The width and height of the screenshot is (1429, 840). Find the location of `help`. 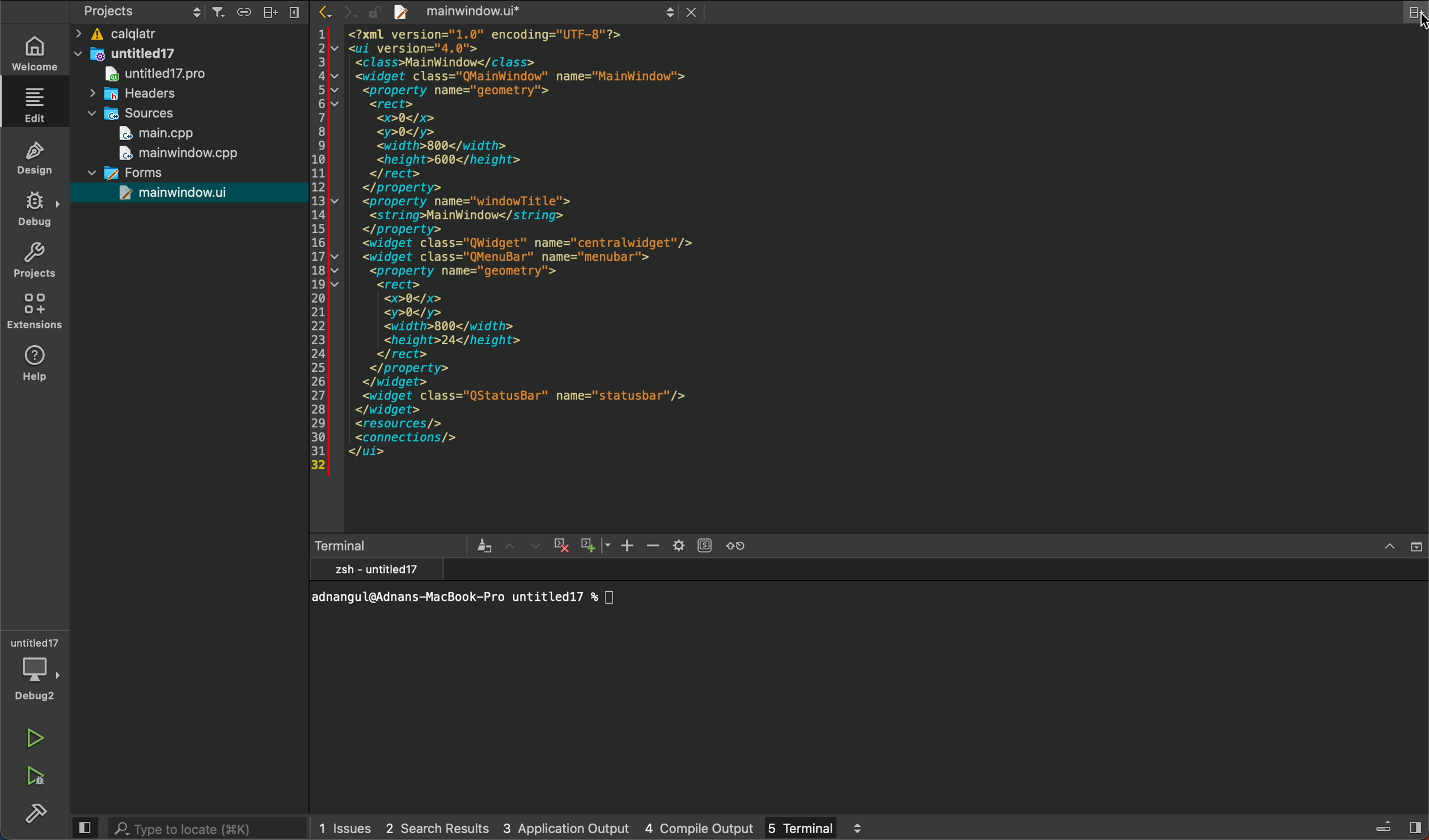

help is located at coordinates (36, 366).